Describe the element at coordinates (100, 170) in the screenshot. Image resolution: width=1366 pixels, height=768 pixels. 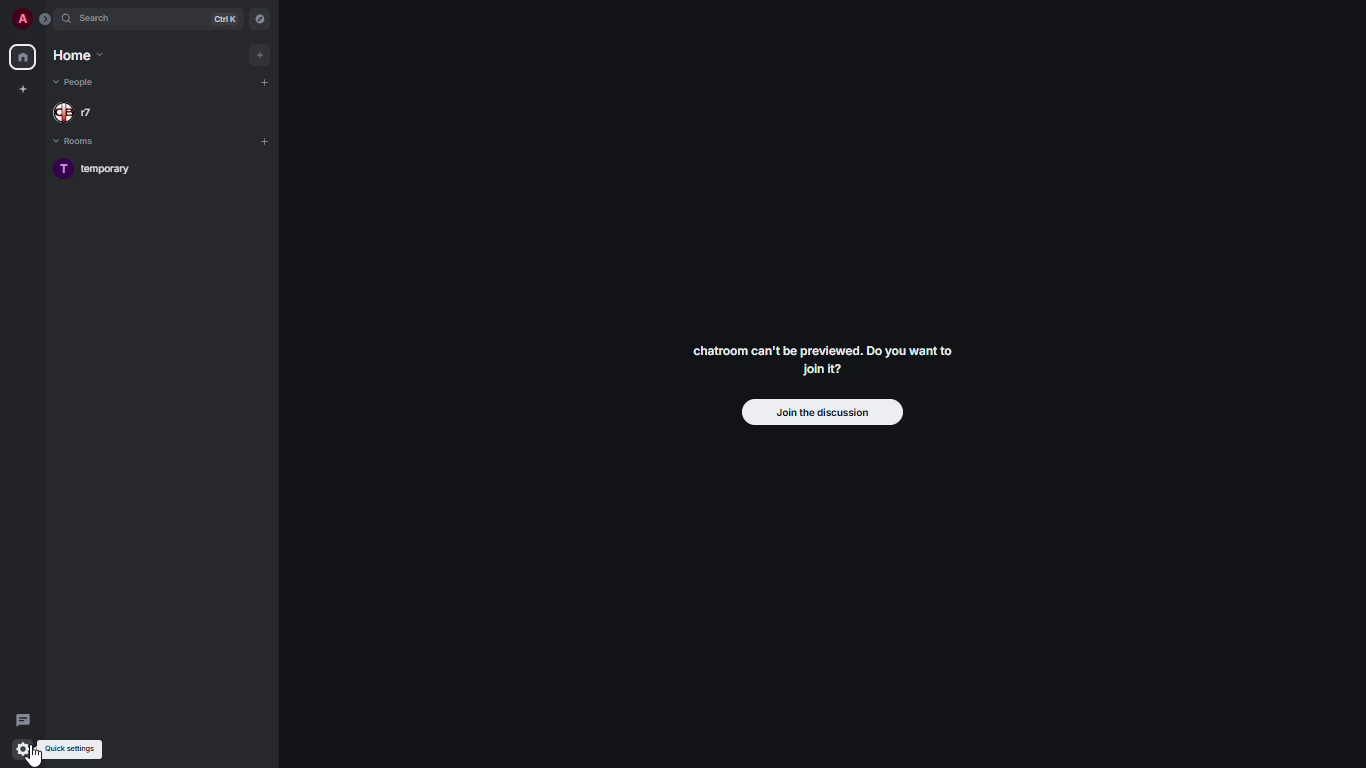
I see `room` at that location.